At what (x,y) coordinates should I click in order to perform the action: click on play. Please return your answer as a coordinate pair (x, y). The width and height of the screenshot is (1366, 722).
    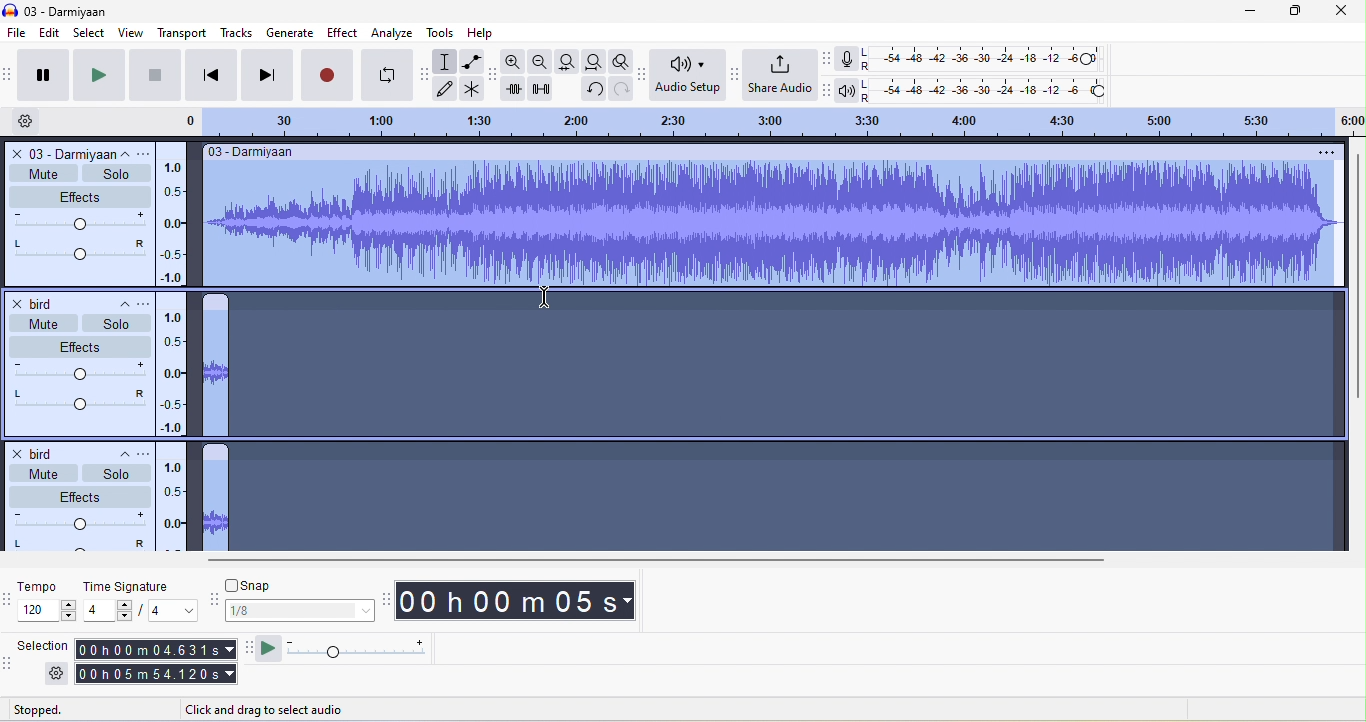
    Looking at the image, I should click on (96, 76).